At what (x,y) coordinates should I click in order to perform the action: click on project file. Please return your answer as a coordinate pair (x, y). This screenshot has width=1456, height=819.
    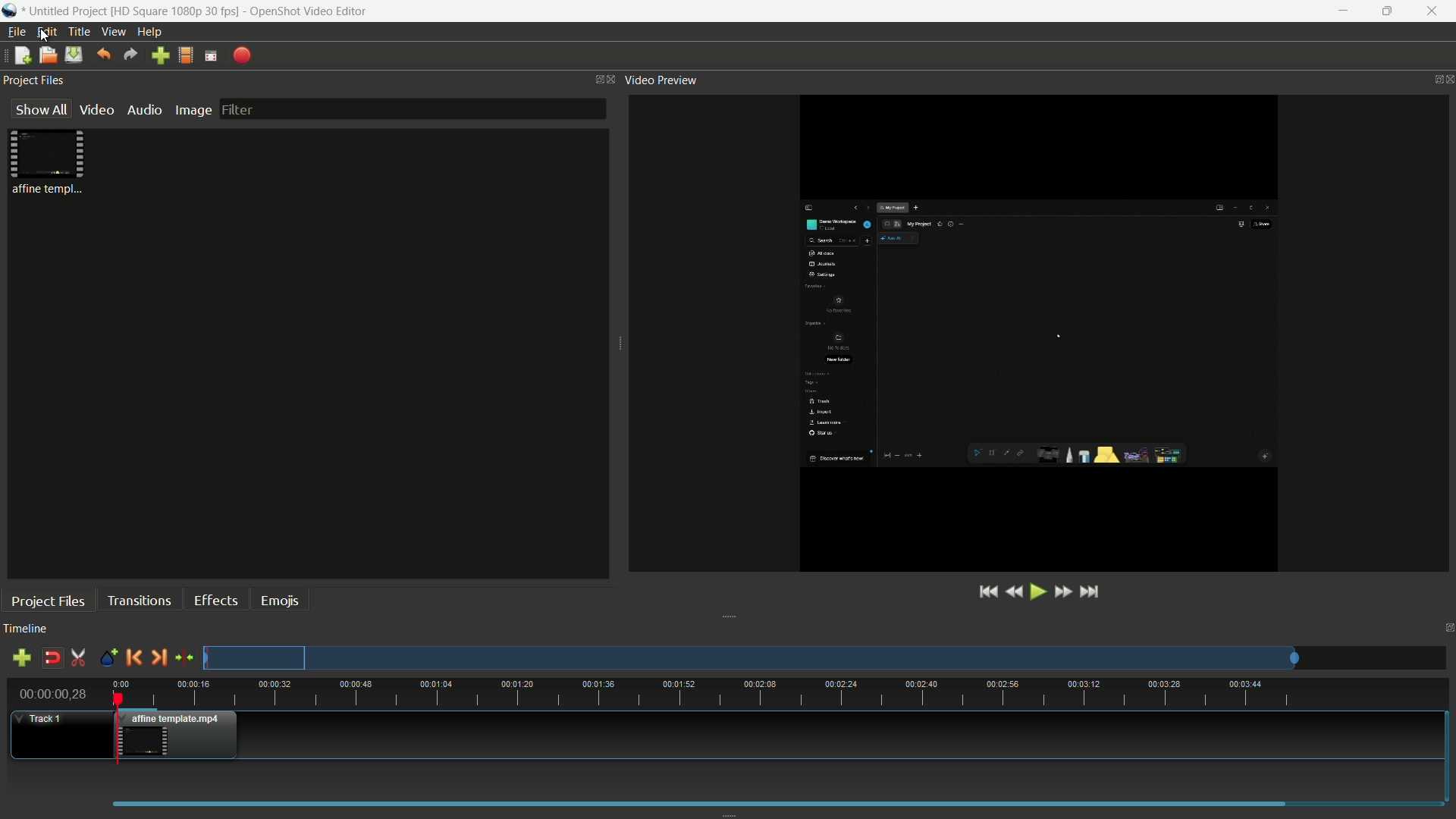
    Looking at the image, I should click on (49, 162).